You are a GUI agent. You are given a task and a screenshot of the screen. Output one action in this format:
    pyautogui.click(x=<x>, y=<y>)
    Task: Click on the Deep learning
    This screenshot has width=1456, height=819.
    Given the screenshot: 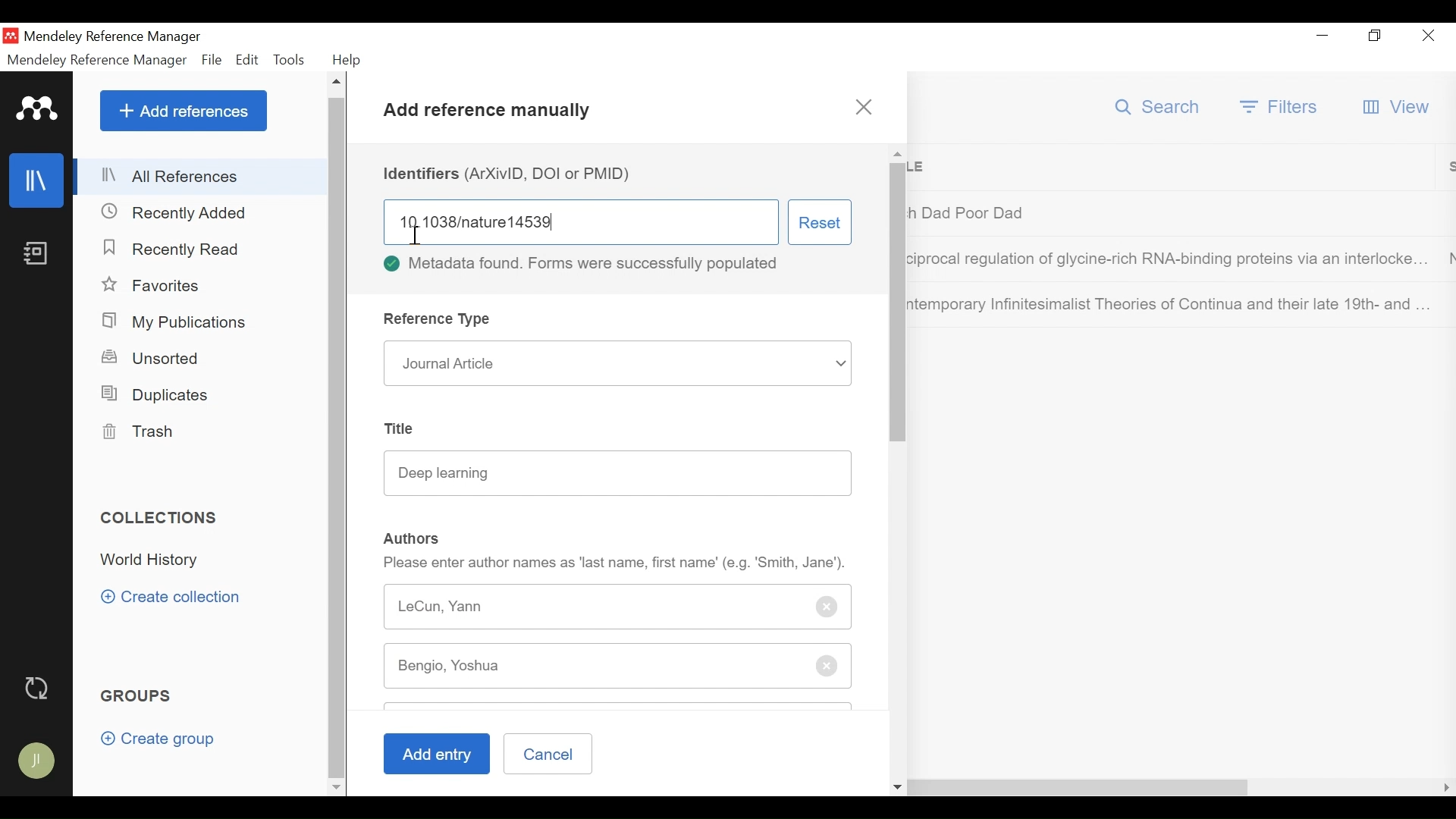 What is the action you would take?
    pyautogui.click(x=618, y=472)
    